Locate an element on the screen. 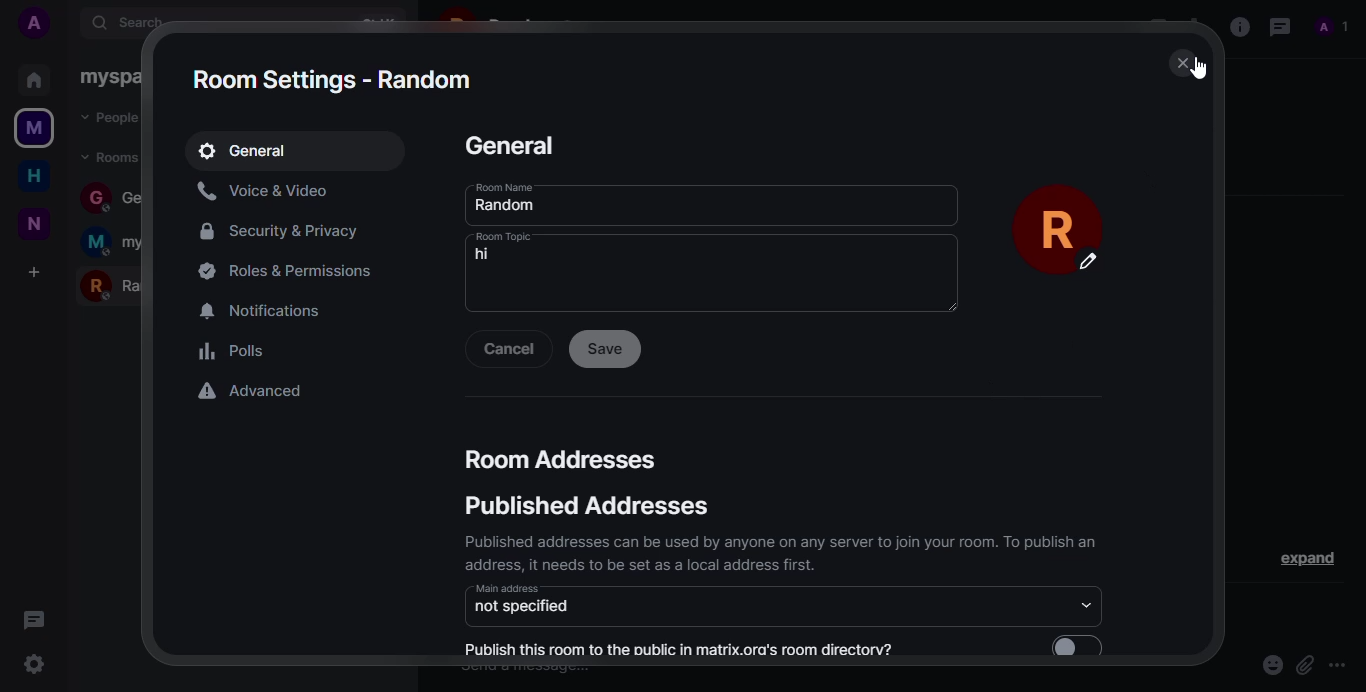  info is located at coordinates (1240, 27).